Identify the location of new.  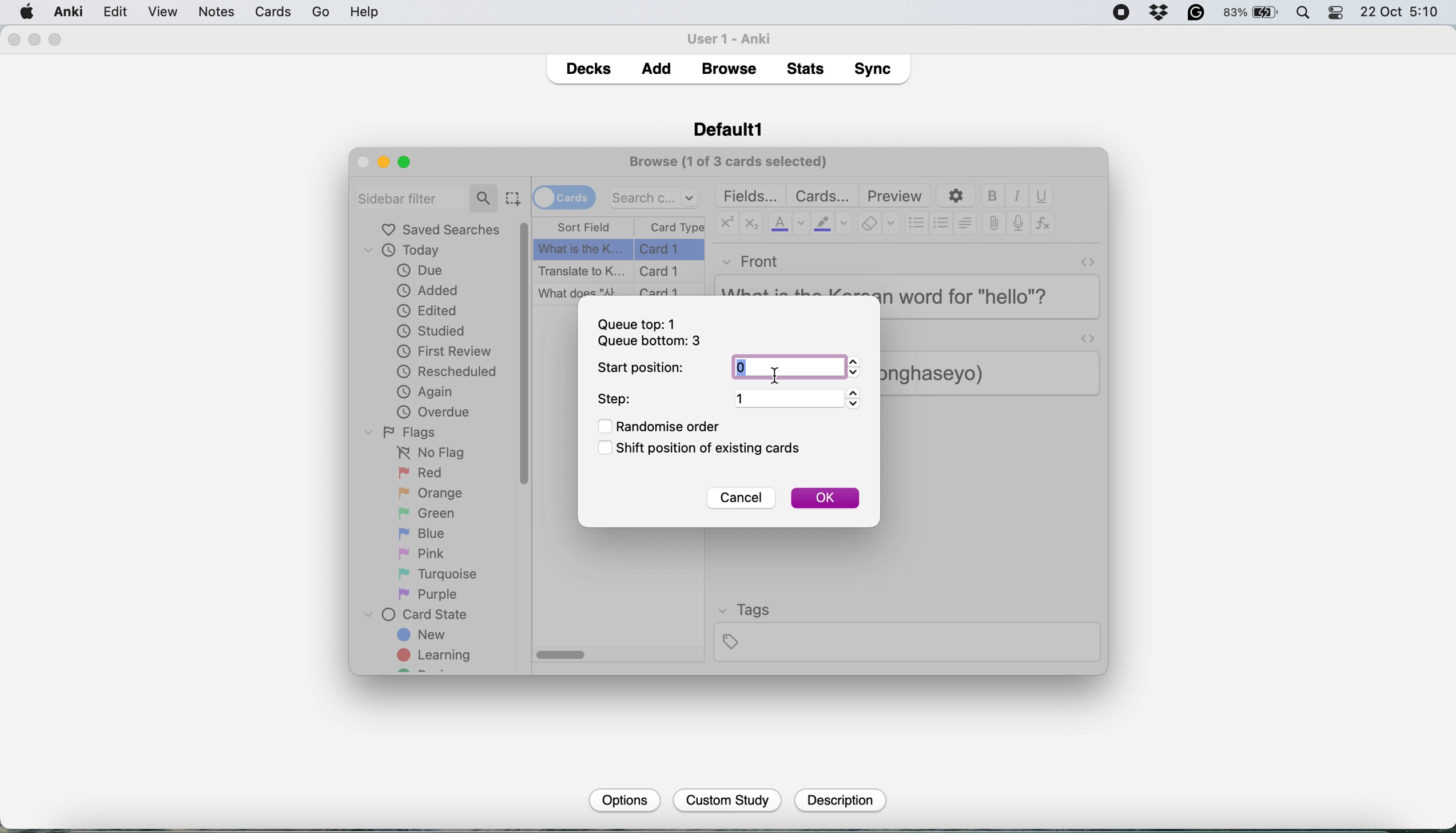
(423, 636).